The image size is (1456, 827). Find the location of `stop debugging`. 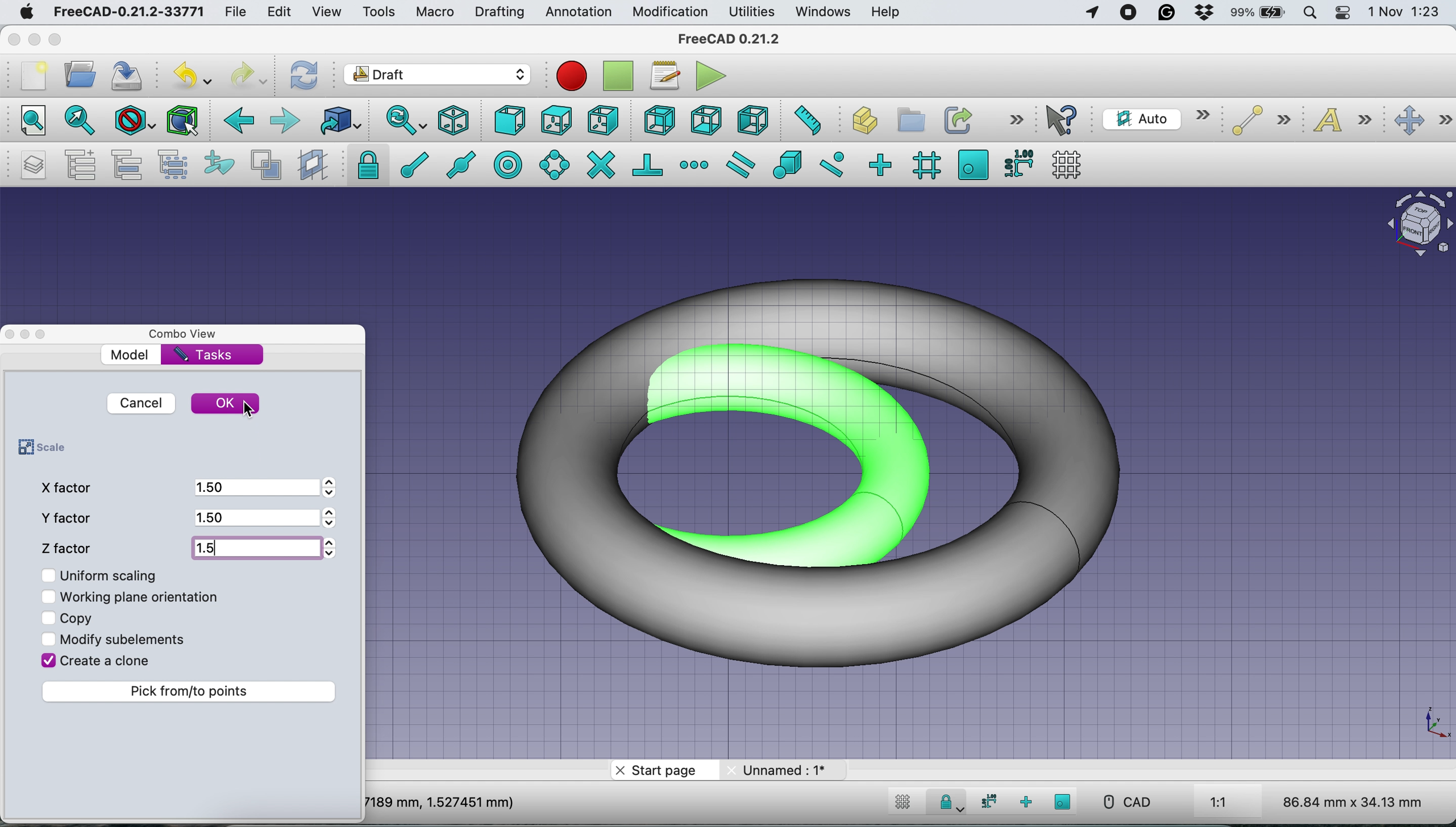

stop debugging is located at coordinates (615, 76).